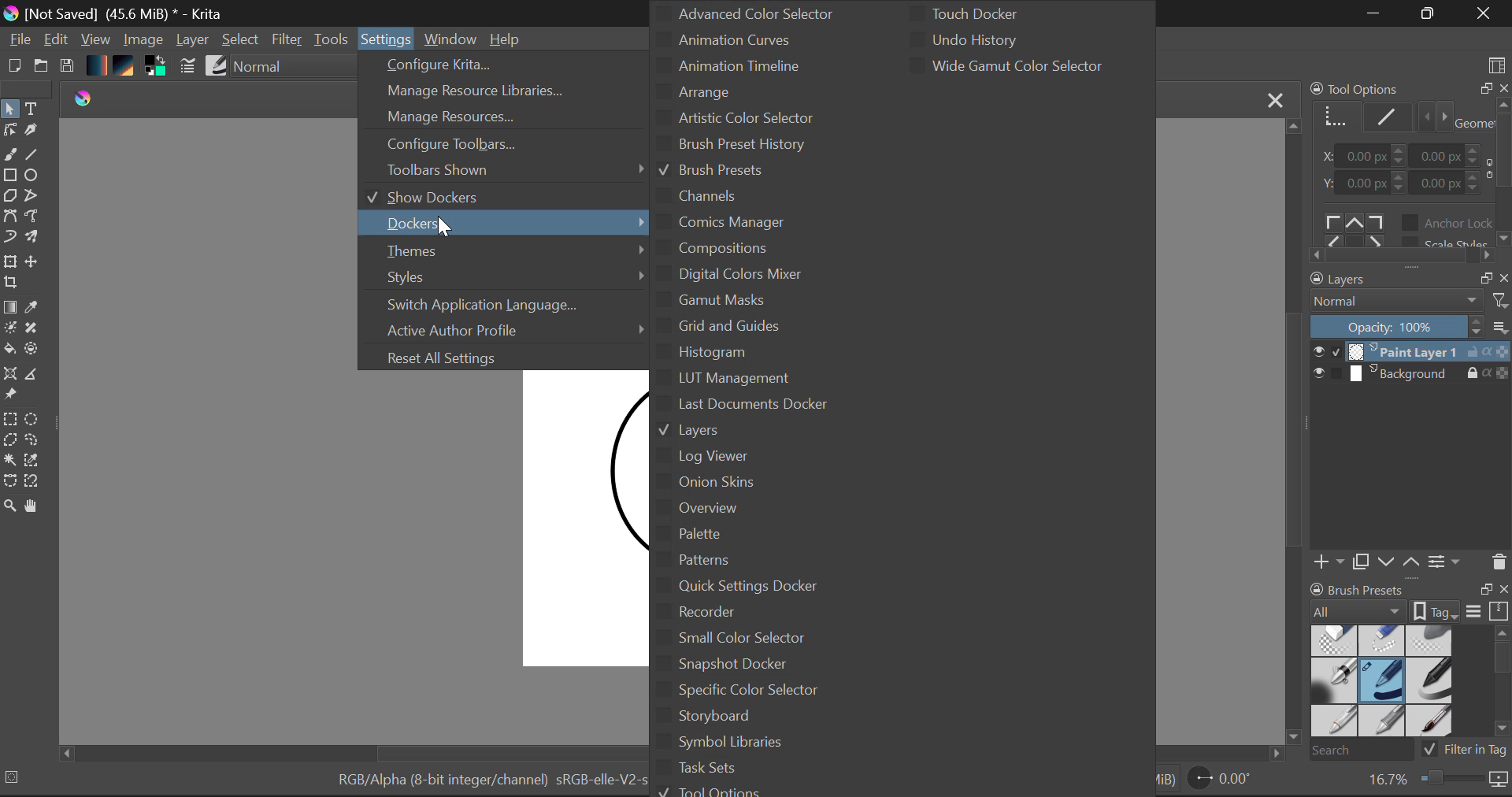  Describe the element at coordinates (32, 194) in the screenshot. I see `Polyline` at that location.